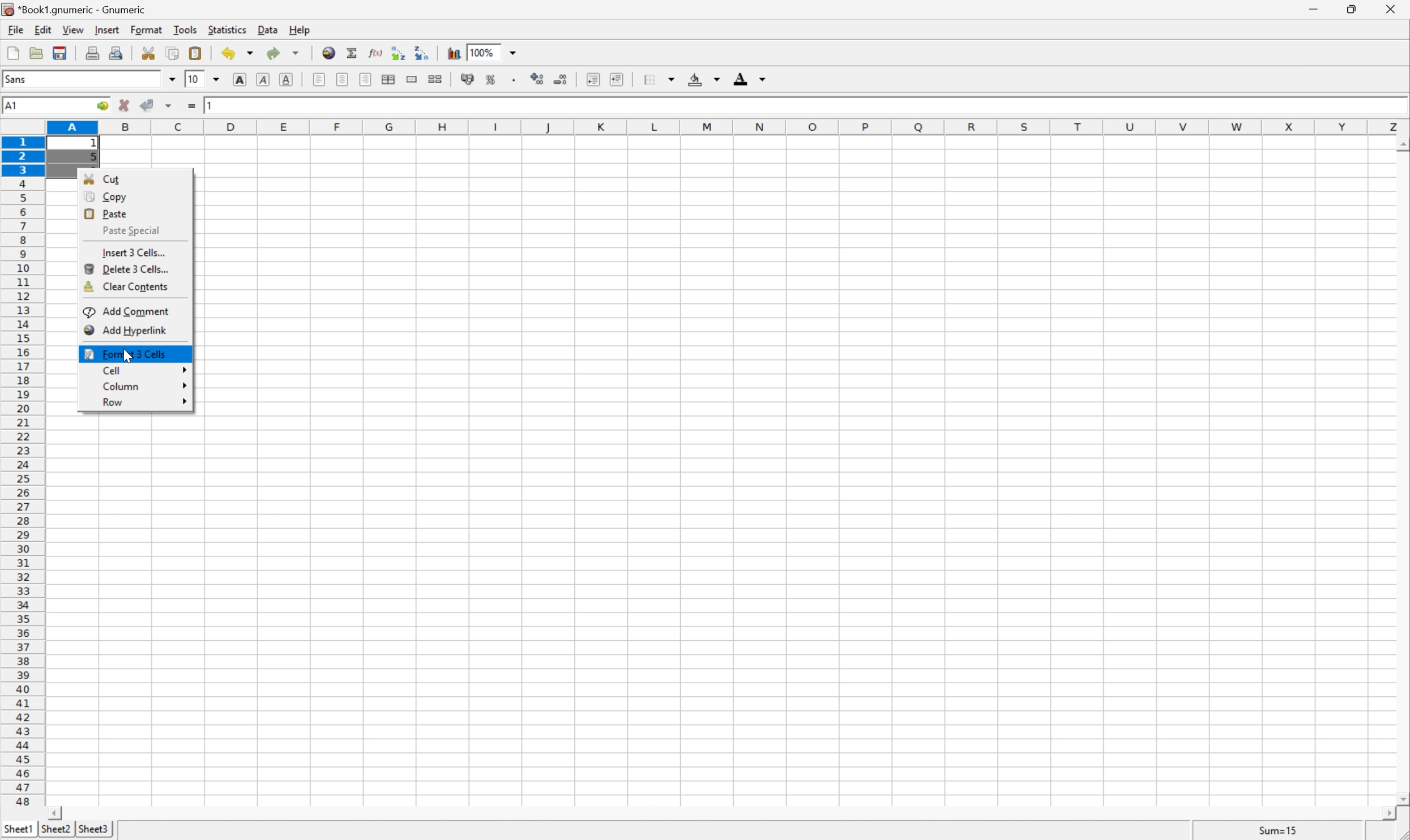 The width and height of the screenshot is (1410, 840). Describe the element at coordinates (129, 311) in the screenshot. I see `add comment` at that location.